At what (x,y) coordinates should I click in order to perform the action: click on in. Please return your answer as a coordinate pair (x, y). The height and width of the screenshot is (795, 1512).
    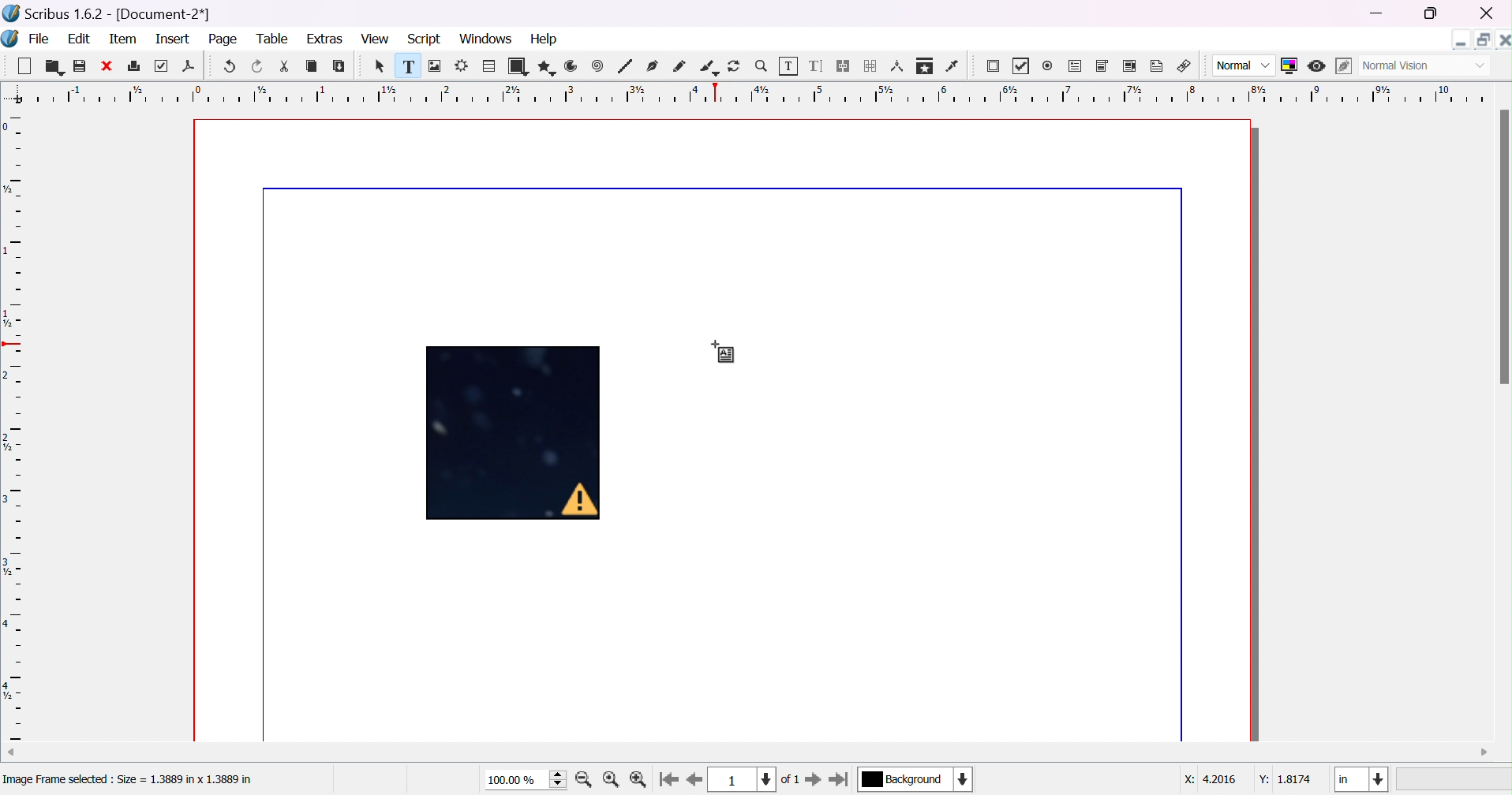
    Looking at the image, I should click on (1362, 780).